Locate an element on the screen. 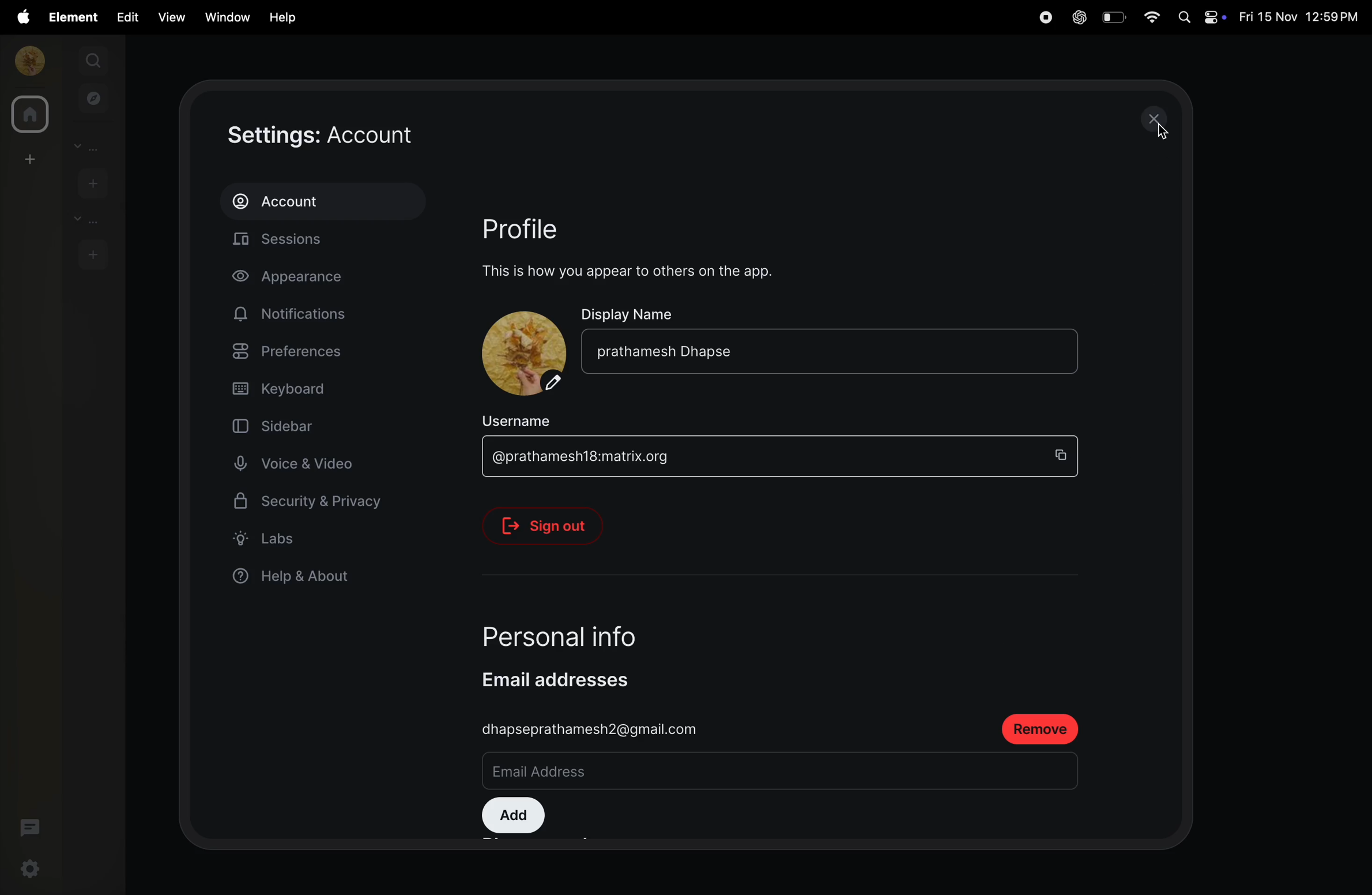 The height and width of the screenshot is (895, 1372). add is located at coordinates (513, 817).